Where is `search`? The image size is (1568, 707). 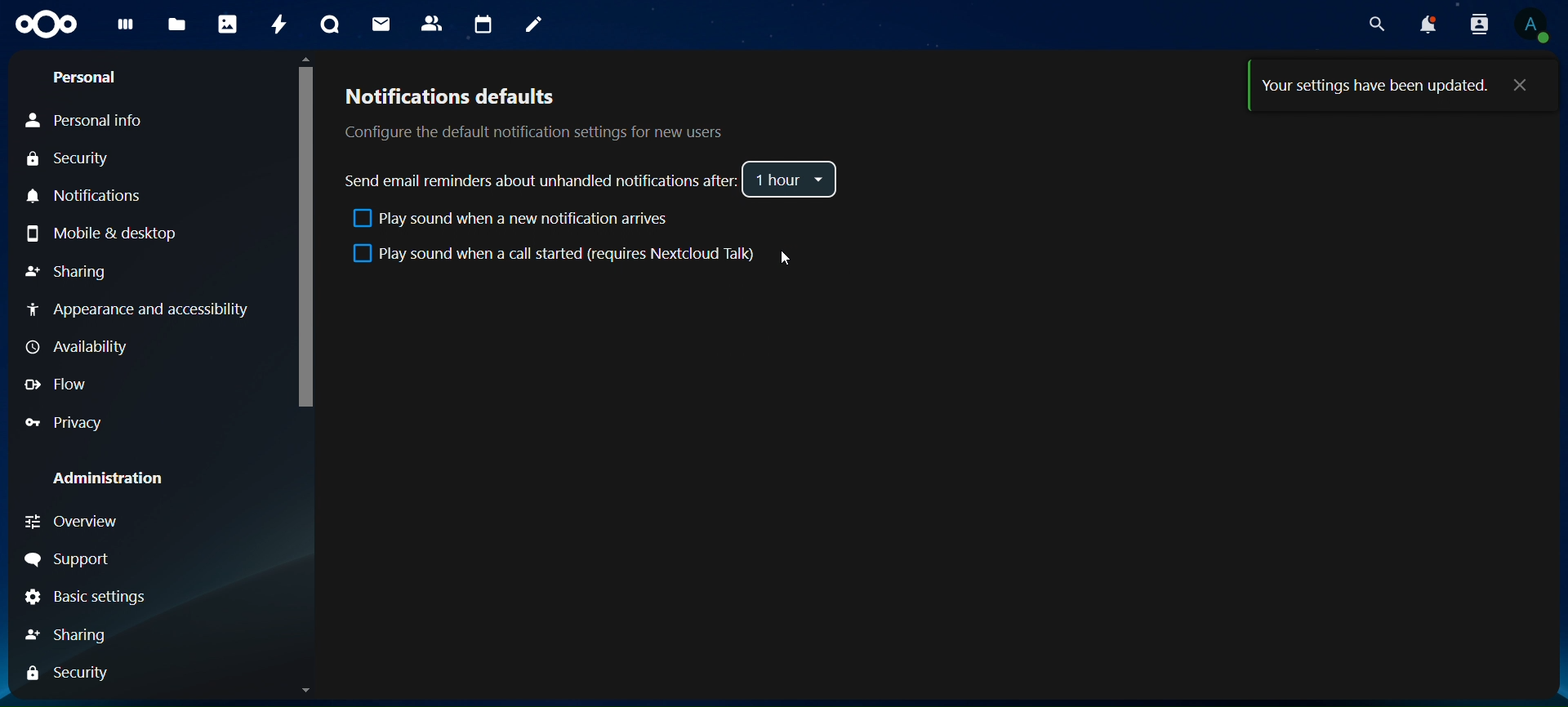
search is located at coordinates (1377, 25).